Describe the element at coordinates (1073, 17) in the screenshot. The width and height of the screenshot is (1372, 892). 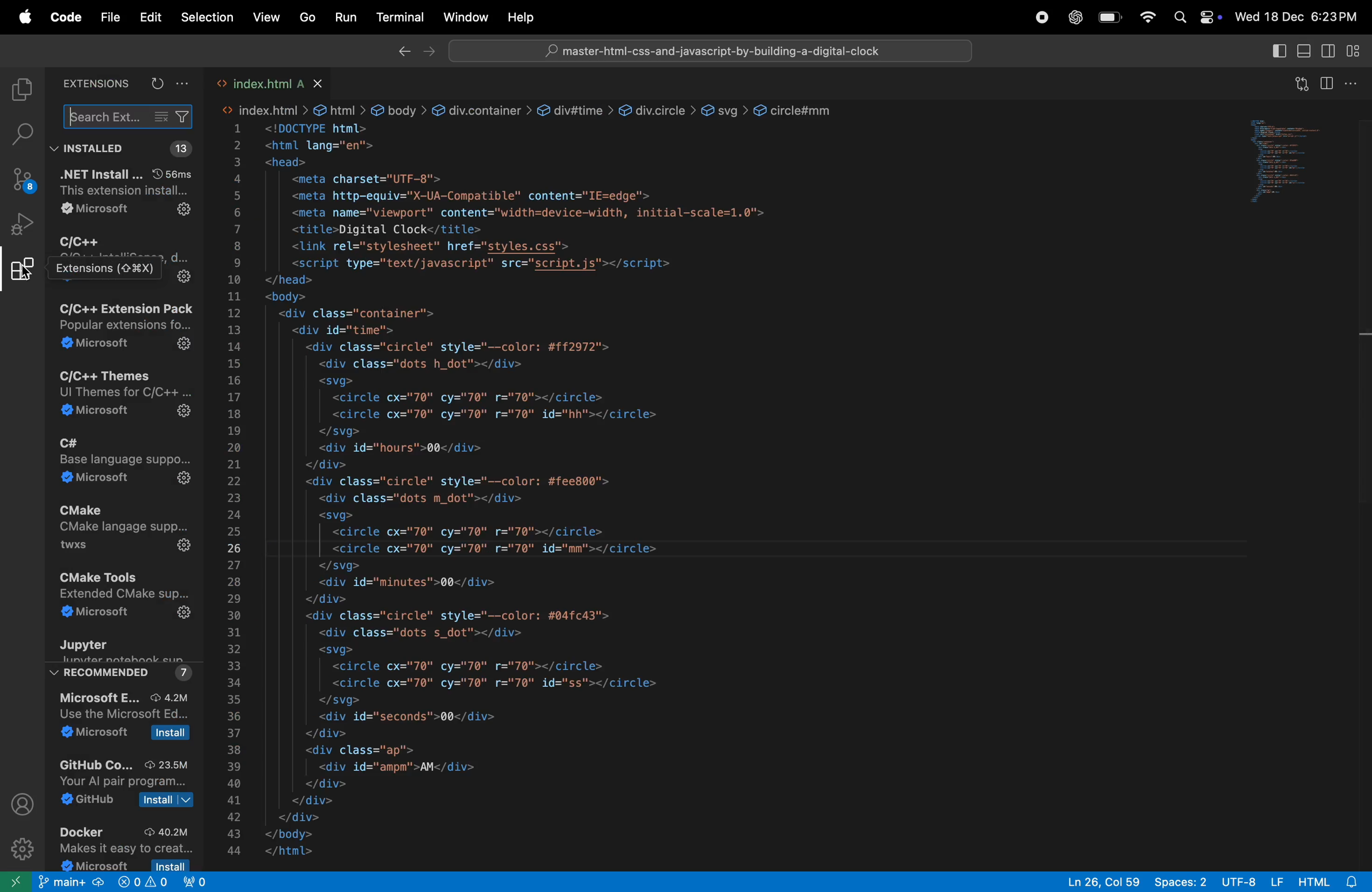
I see `chatgpt` at that location.